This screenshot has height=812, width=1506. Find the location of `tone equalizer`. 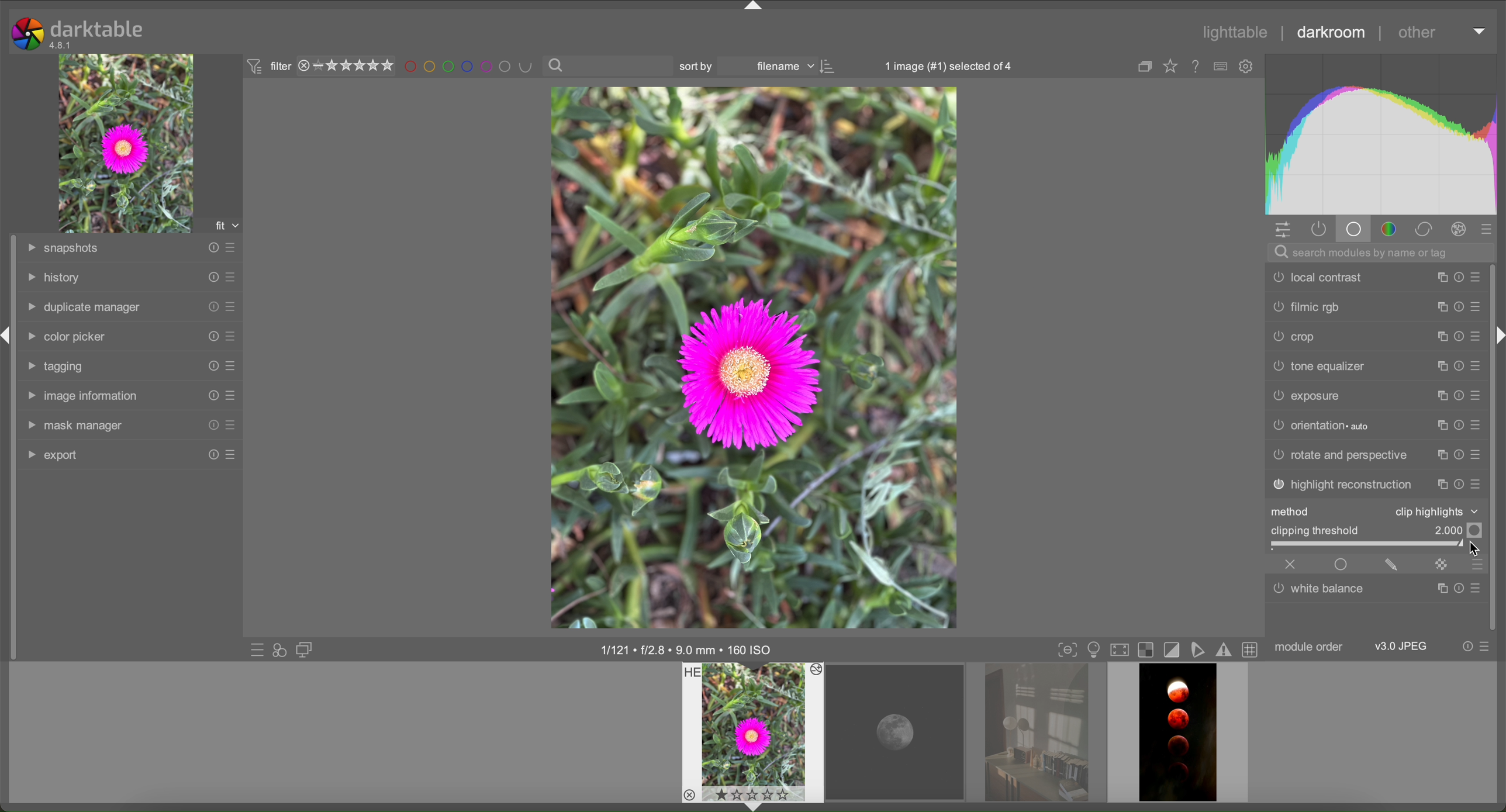

tone equalizer is located at coordinates (1320, 364).